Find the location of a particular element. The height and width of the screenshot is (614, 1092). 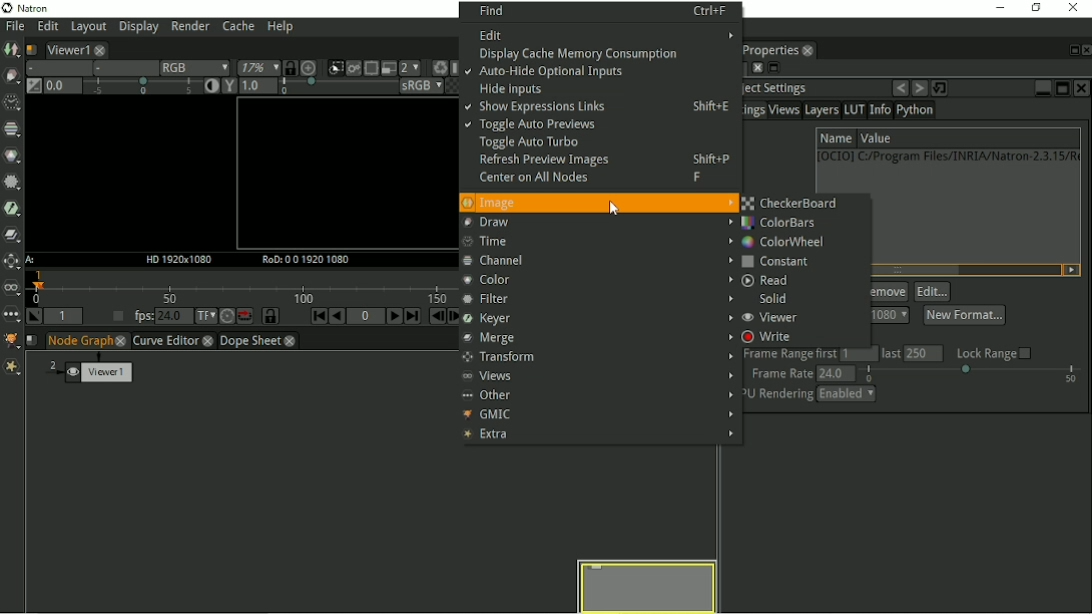

Viewer1 is located at coordinates (73, 48).